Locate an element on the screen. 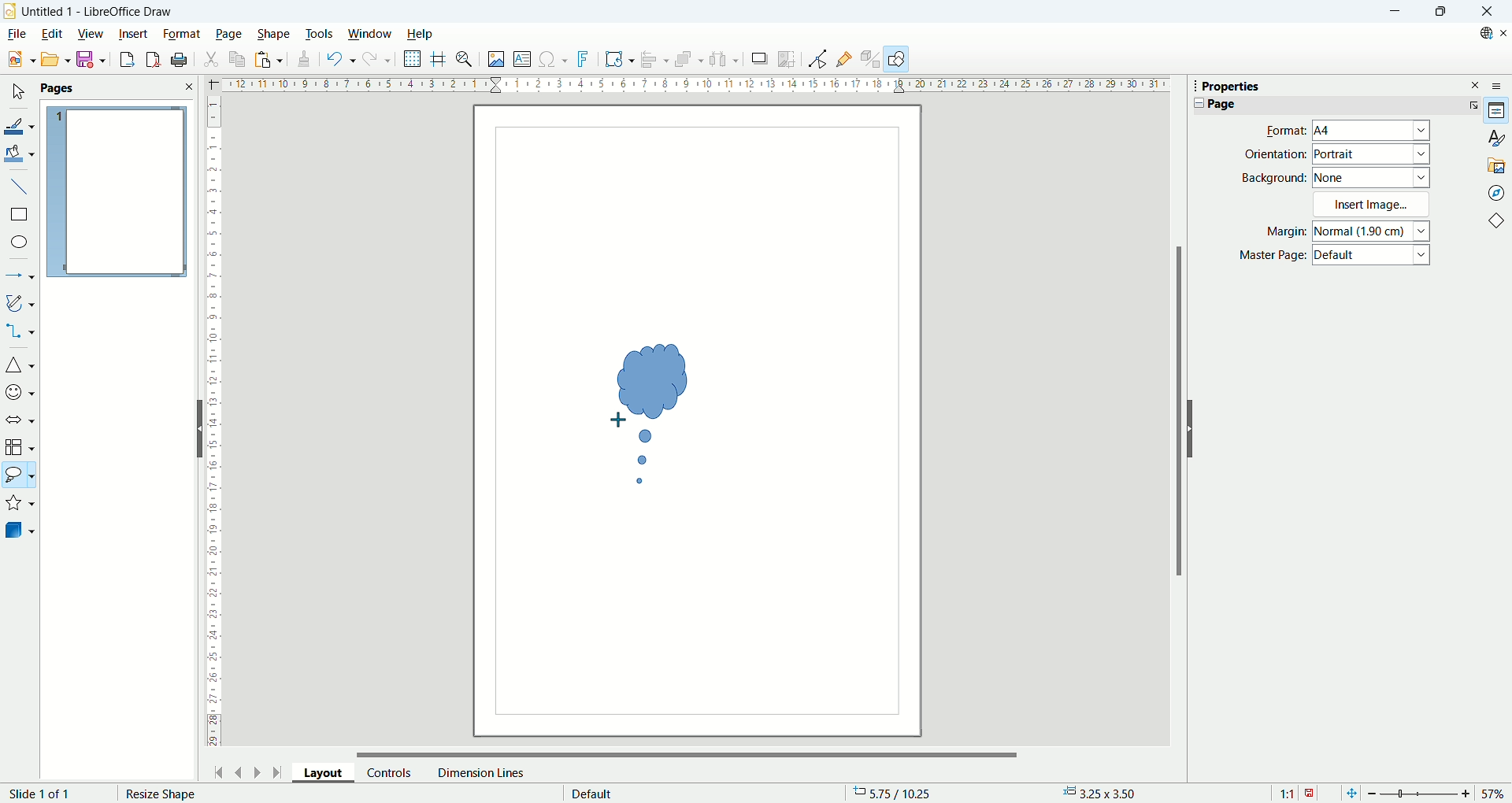 Image resolution: width=1512 pixels, height=803 pixels. gluepoint function is located at coordinates (845, 58).